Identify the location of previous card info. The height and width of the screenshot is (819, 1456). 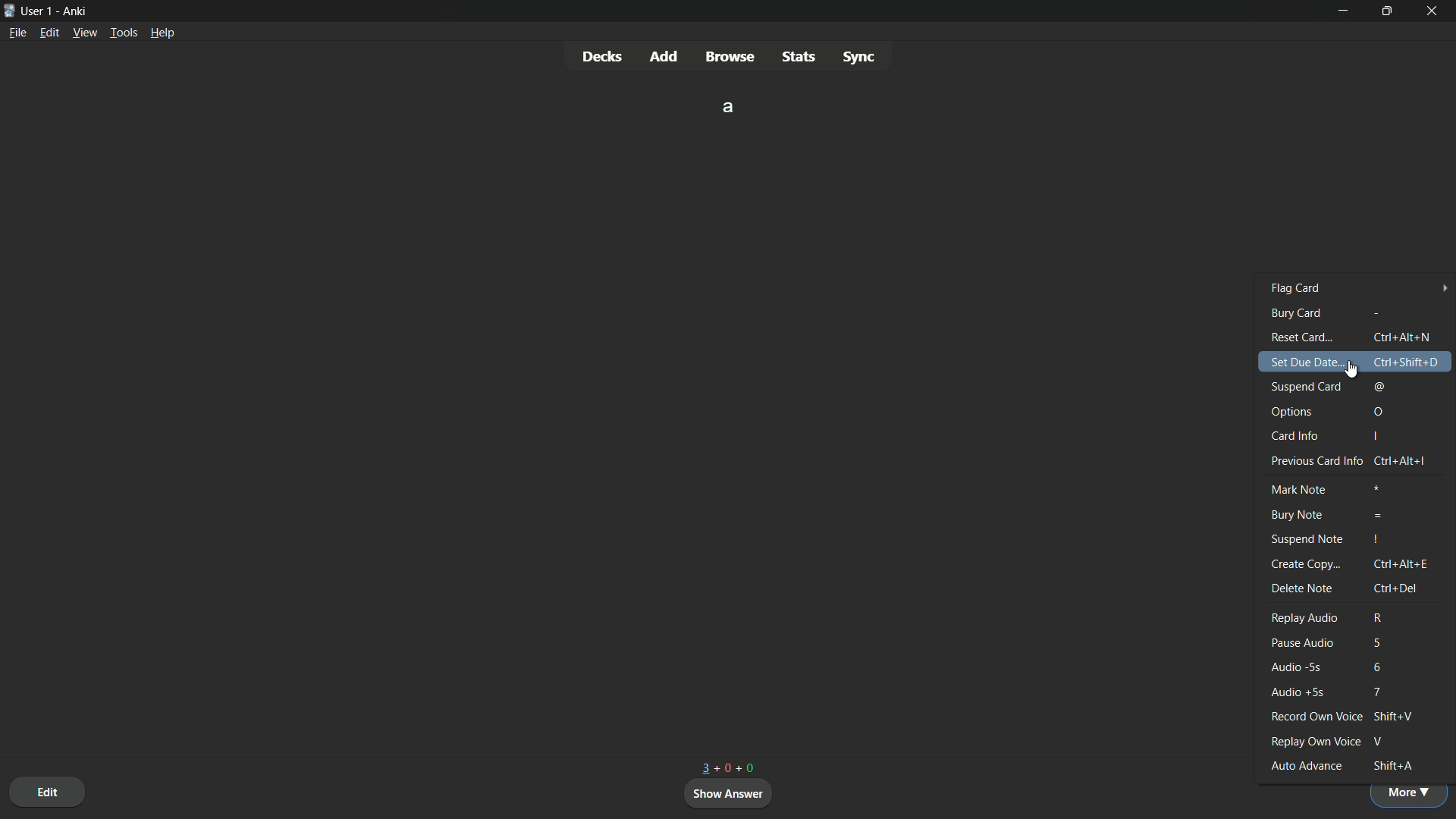
(1314, 462).